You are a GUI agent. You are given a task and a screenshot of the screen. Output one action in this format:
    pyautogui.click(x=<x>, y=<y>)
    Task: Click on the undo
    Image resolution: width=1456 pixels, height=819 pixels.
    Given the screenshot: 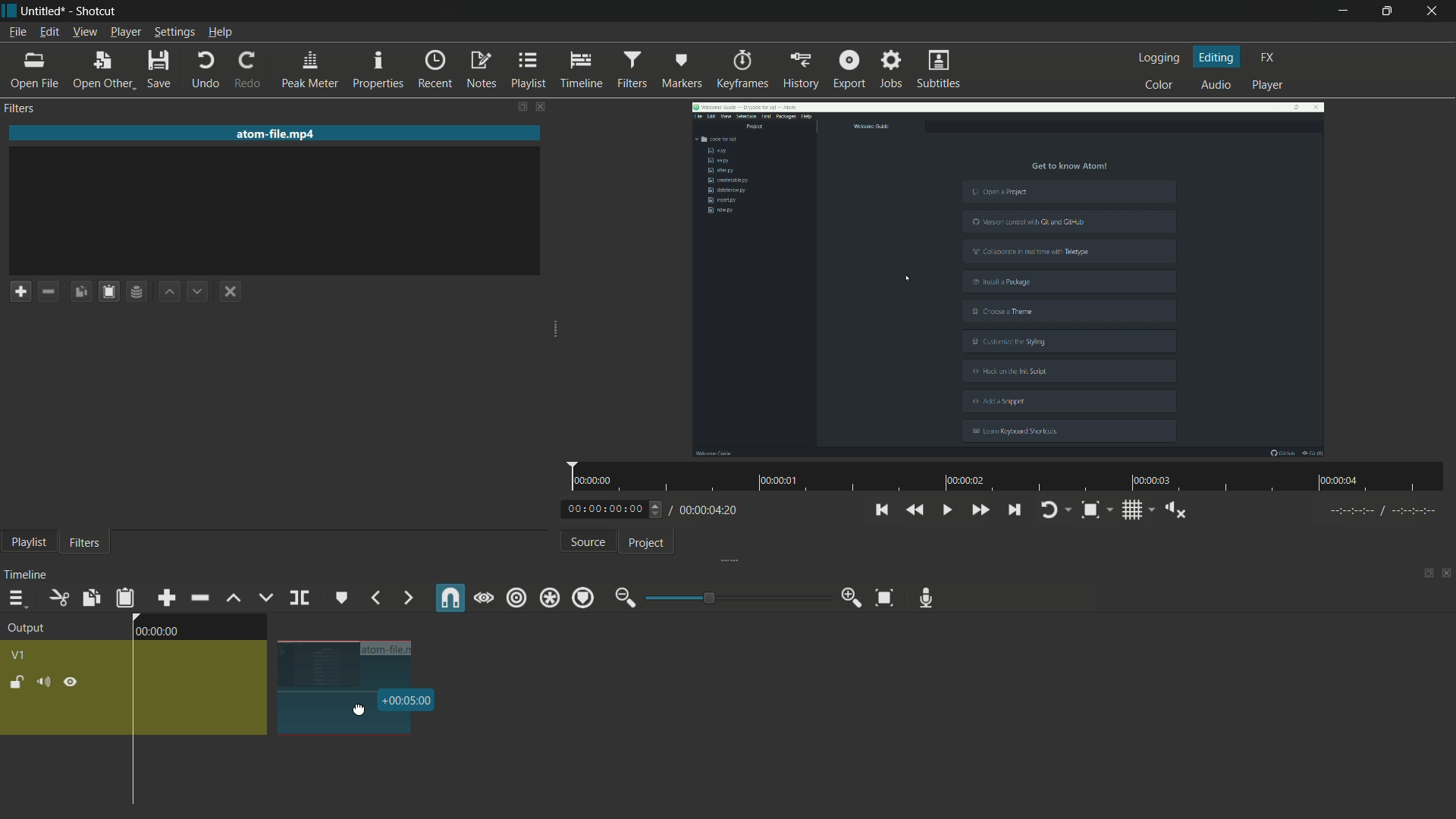 What is the action you would take?
    pyautogui.click(x=206, y=71)
    